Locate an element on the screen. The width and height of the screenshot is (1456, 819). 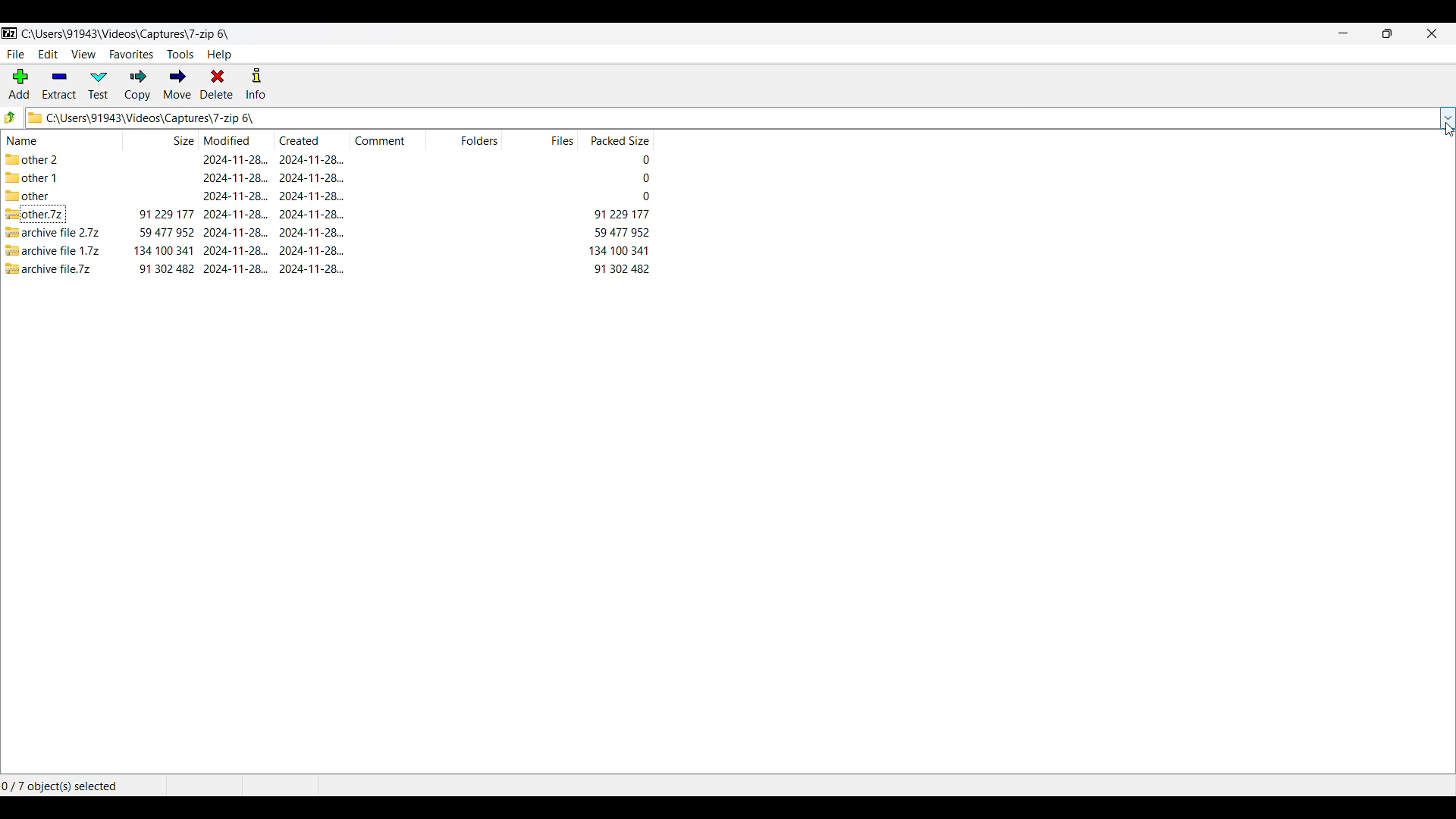
Extract is located at coordinates (60, 85).